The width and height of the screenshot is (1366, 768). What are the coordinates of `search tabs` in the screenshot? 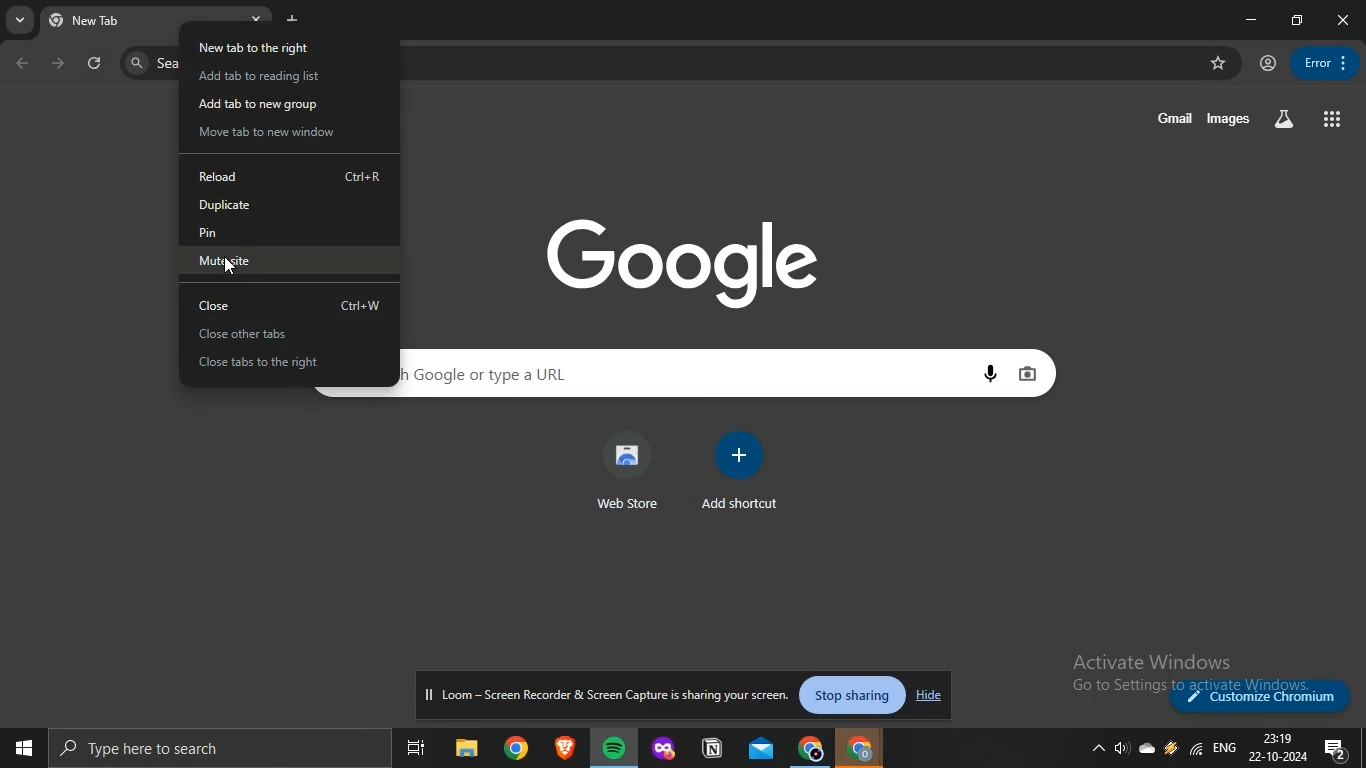 It's located at (20, 21).